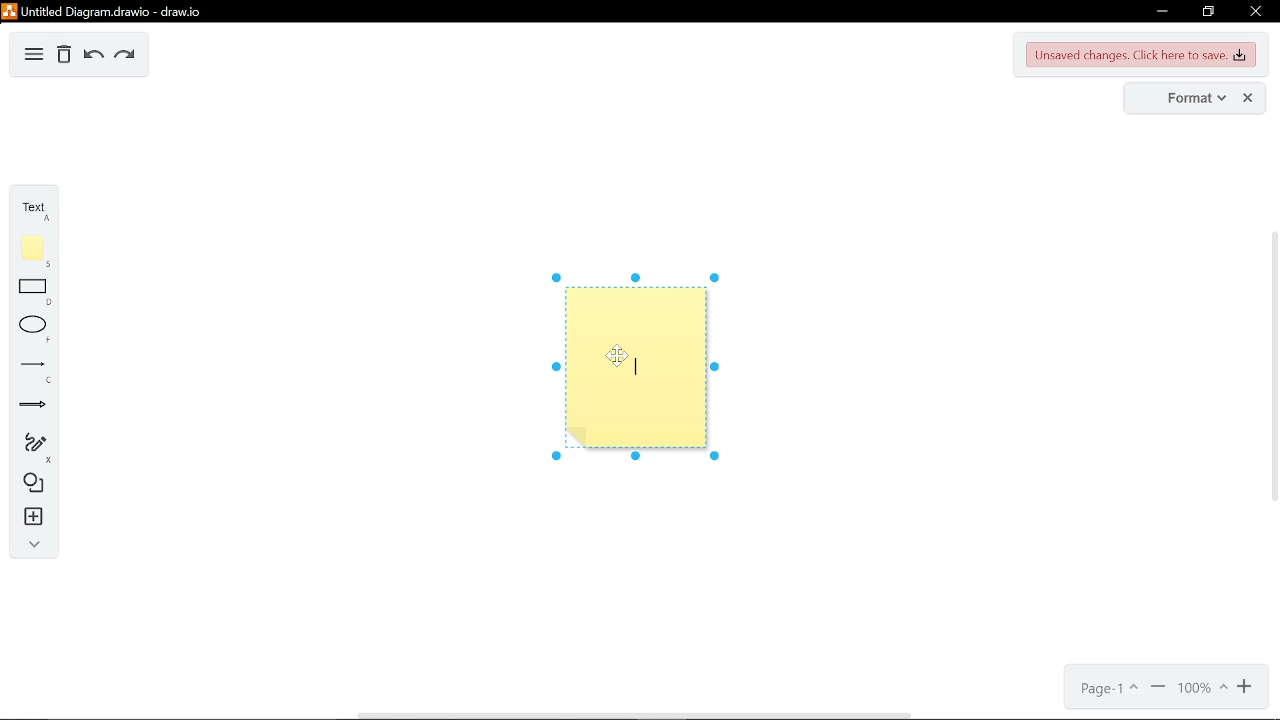 Image resolution: width=1280 pixels, height=720 pixels. What do you see at coordinates (29, 517) in the screenshot?
I see `insert` at bounding box center [29, 517].